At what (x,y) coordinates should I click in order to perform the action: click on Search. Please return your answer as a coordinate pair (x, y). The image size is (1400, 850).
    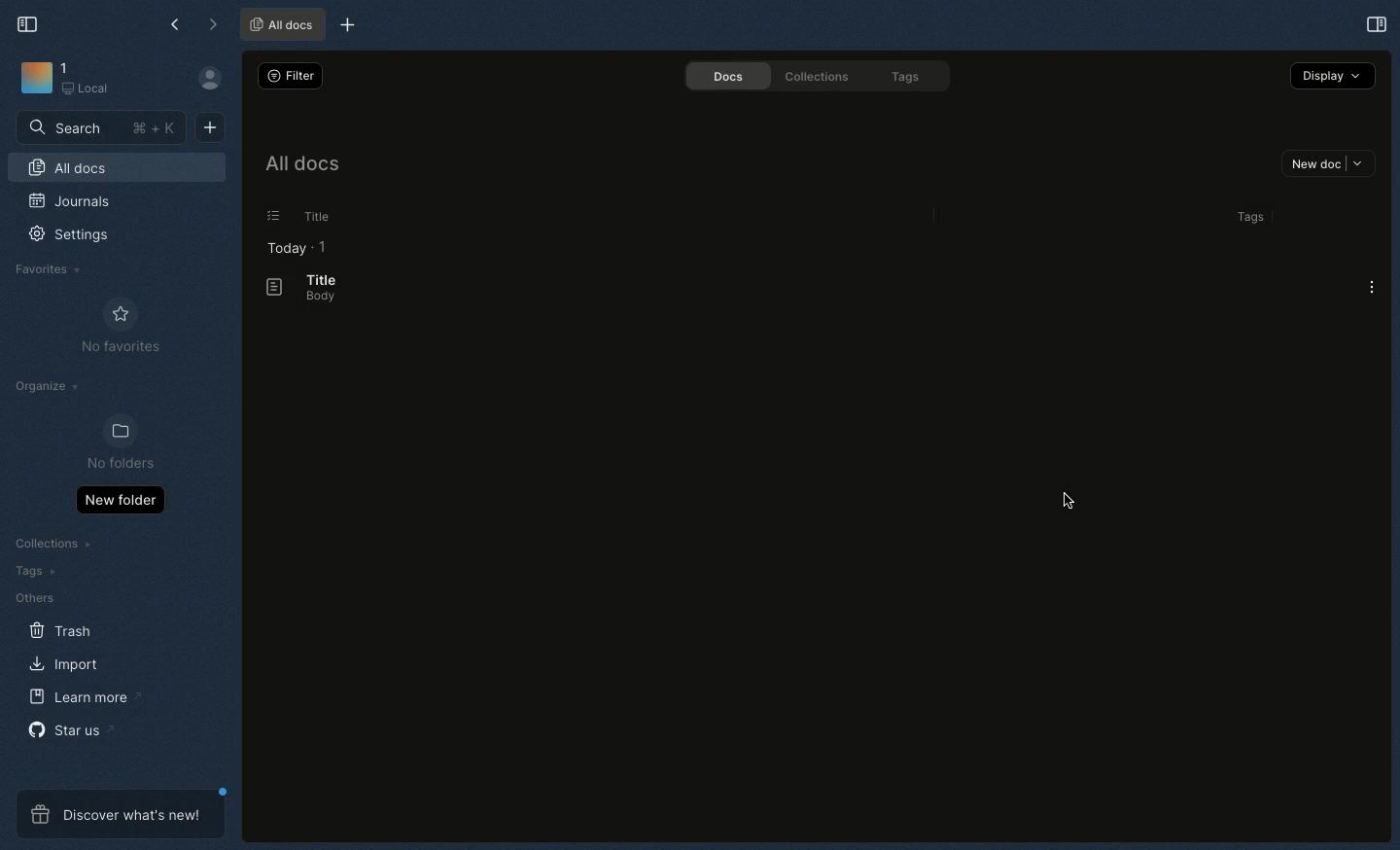
    Looking at the image, I should click on (102, 126).